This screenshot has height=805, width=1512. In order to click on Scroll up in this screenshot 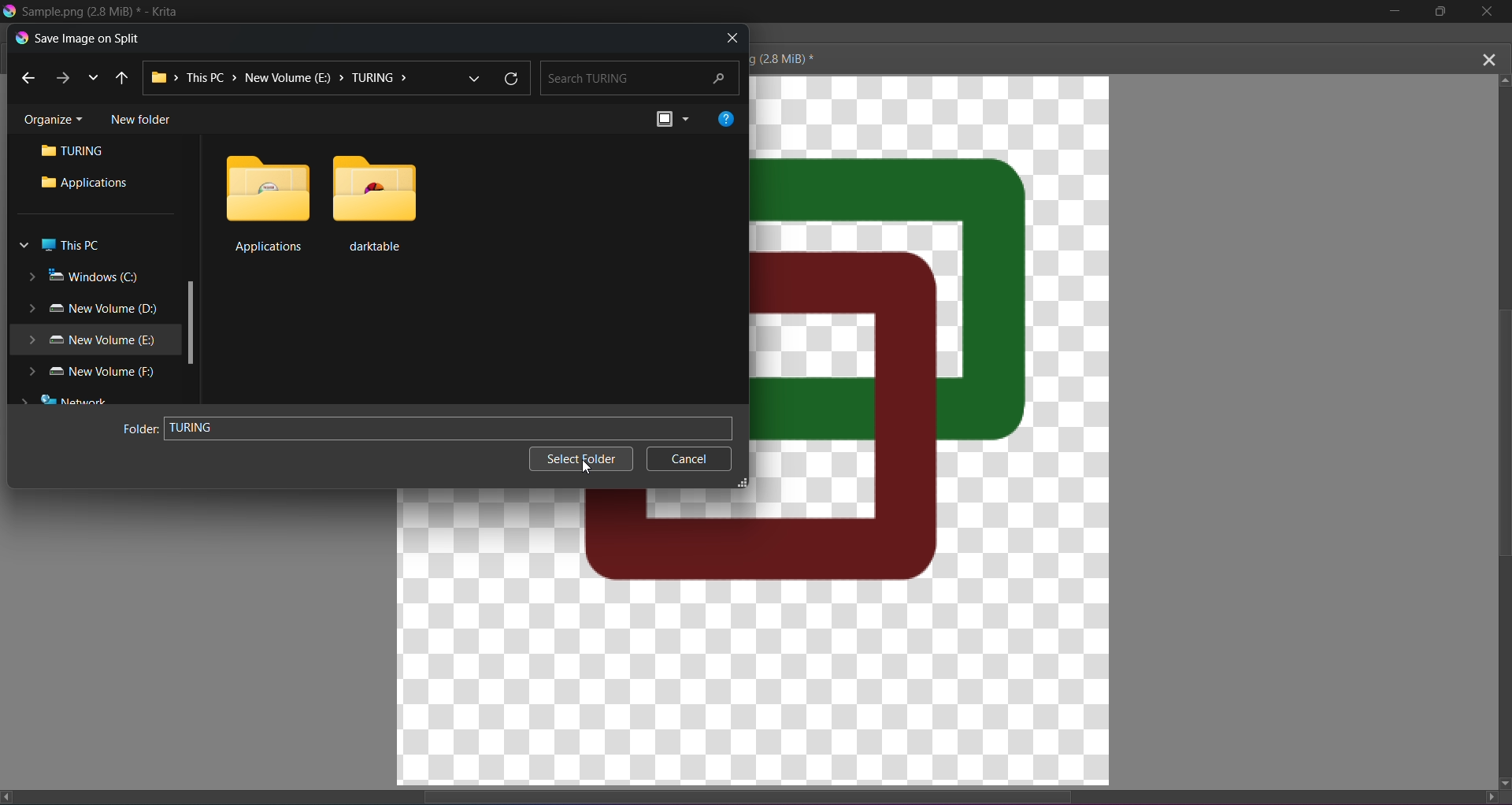, I will do `click(1506, 78)`.